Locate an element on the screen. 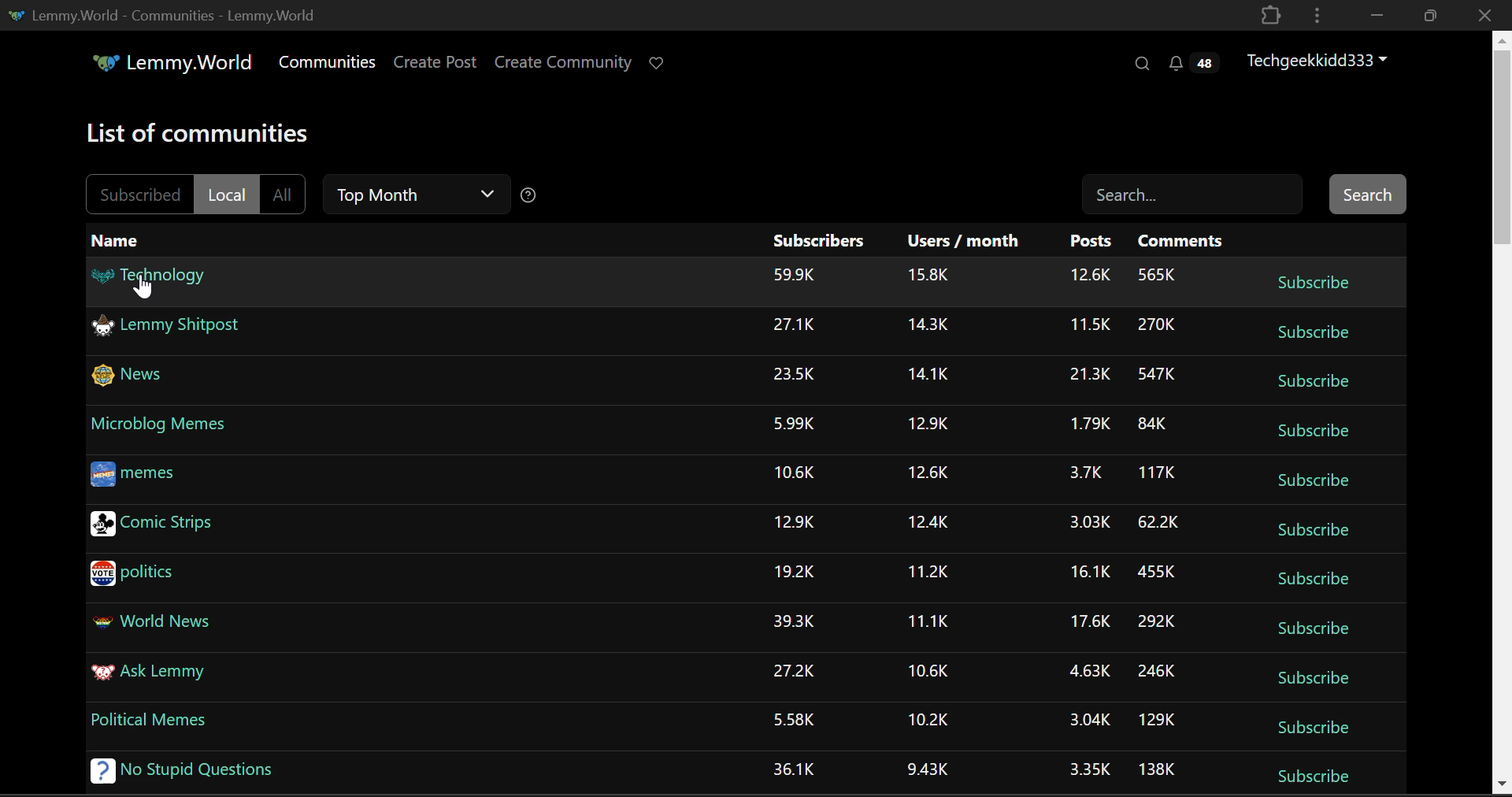  Amount is located at coordinates (928, 475).